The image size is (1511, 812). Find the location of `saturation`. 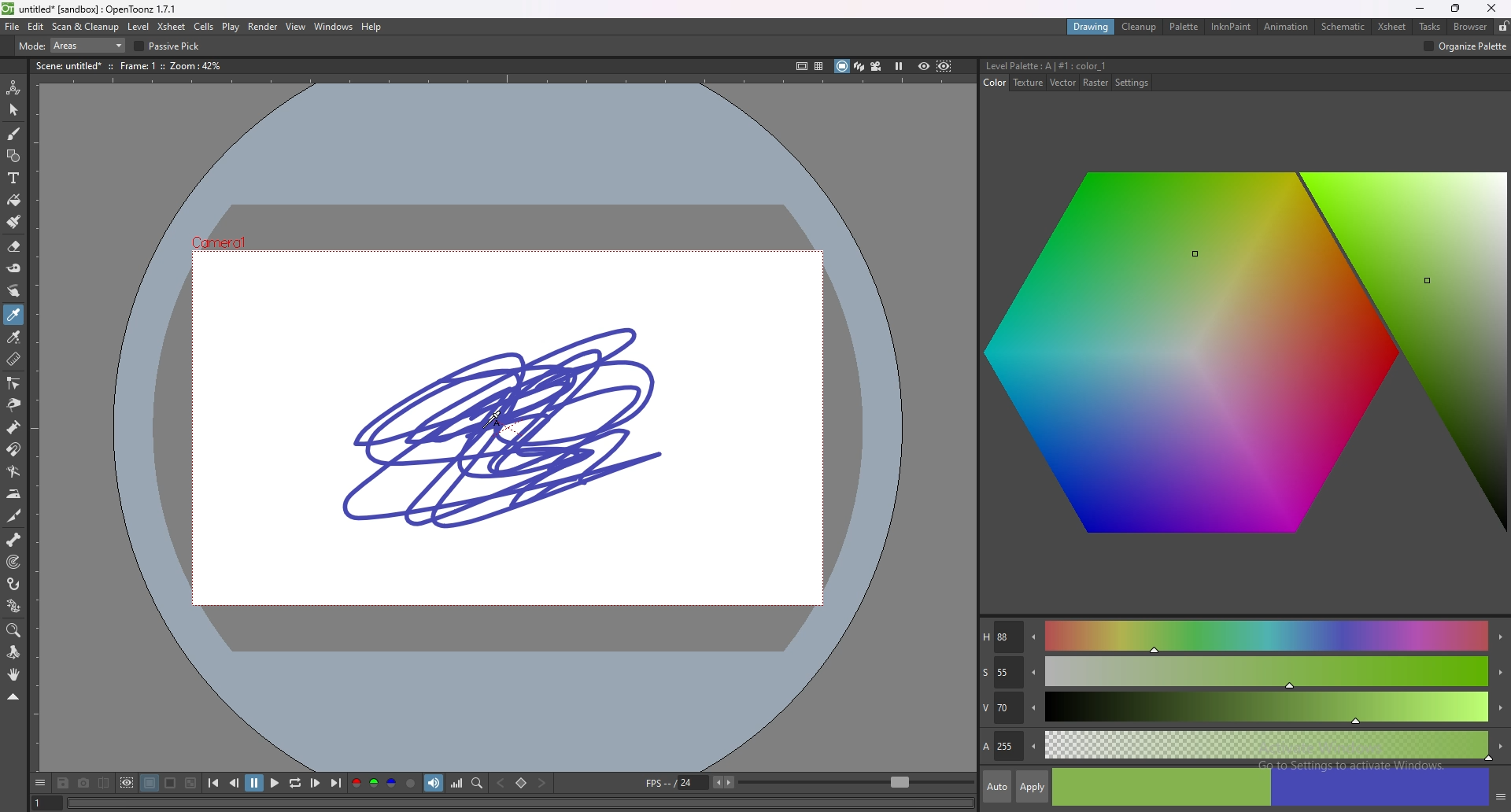

saturation is located at coordinates (1243, 673).